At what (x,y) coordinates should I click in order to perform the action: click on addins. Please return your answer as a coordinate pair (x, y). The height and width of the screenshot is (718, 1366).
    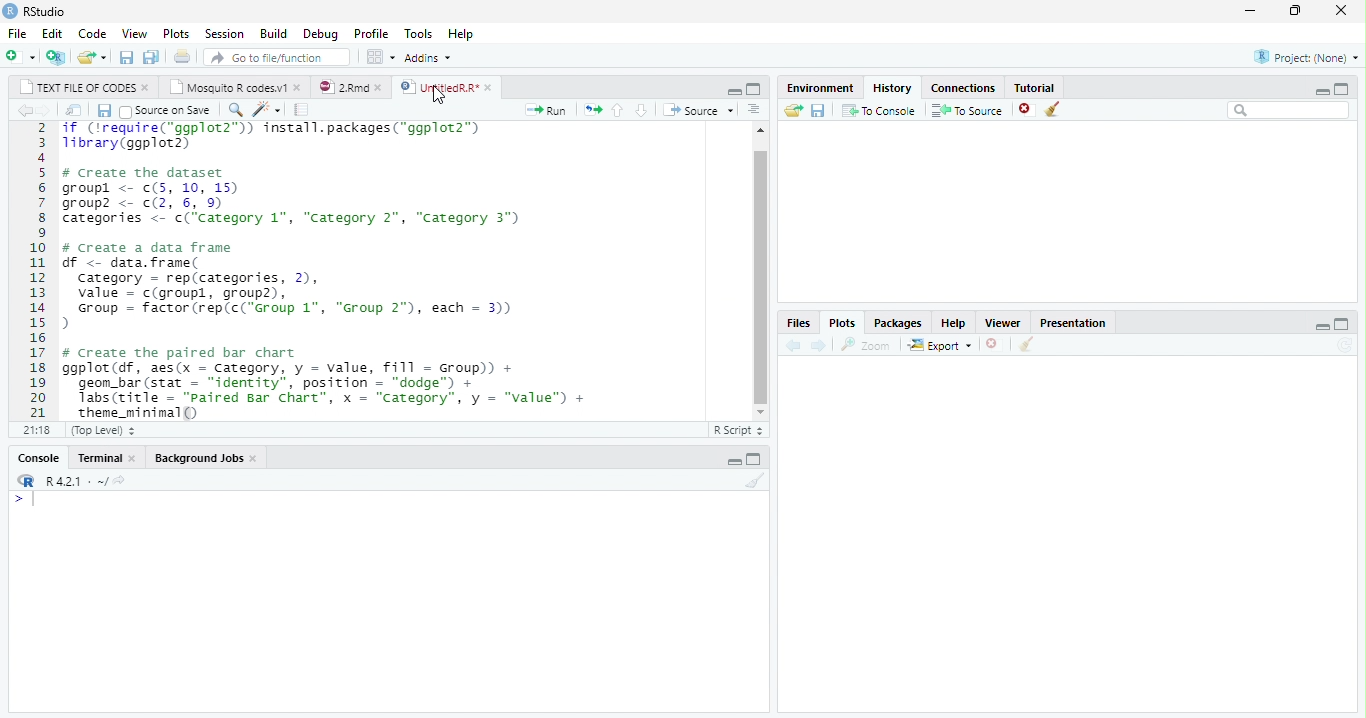
    Looking at the image, I should click on (431, 57).